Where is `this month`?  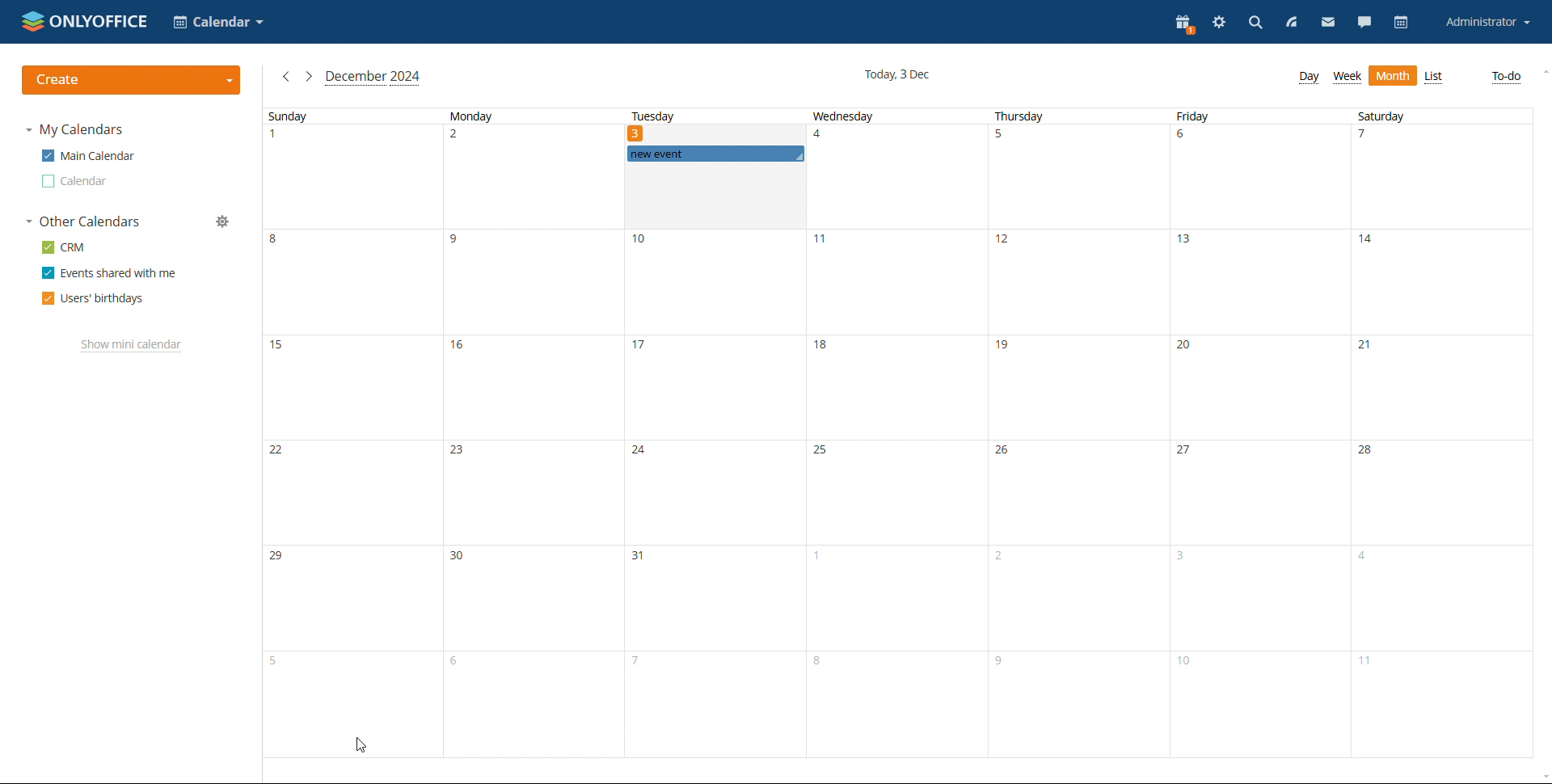 this month is located at coordinates (373, 78).